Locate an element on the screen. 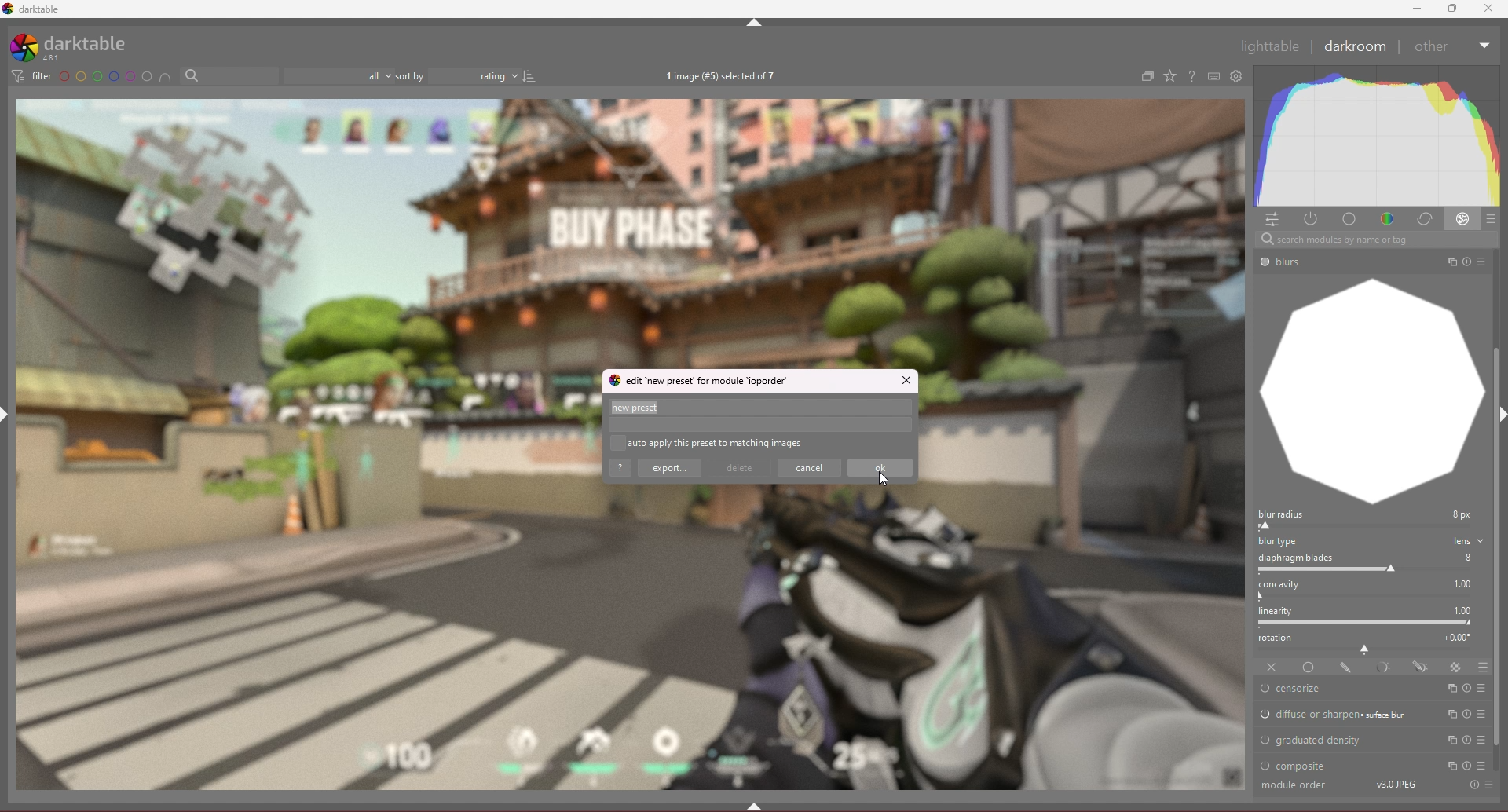 The width and height of the screenshot is (1508, 812). diaphragm blades is located at coordinates (1370, 563).